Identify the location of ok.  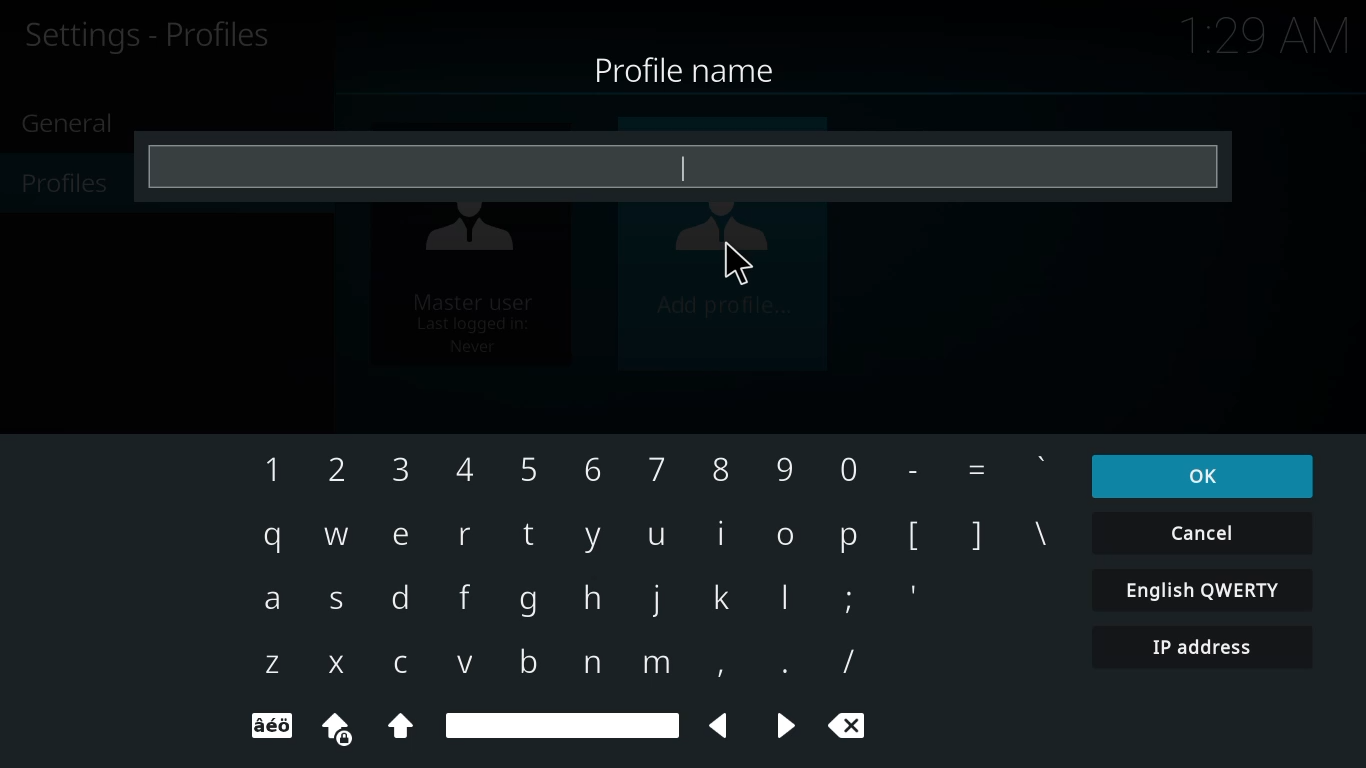
(1201, 477).